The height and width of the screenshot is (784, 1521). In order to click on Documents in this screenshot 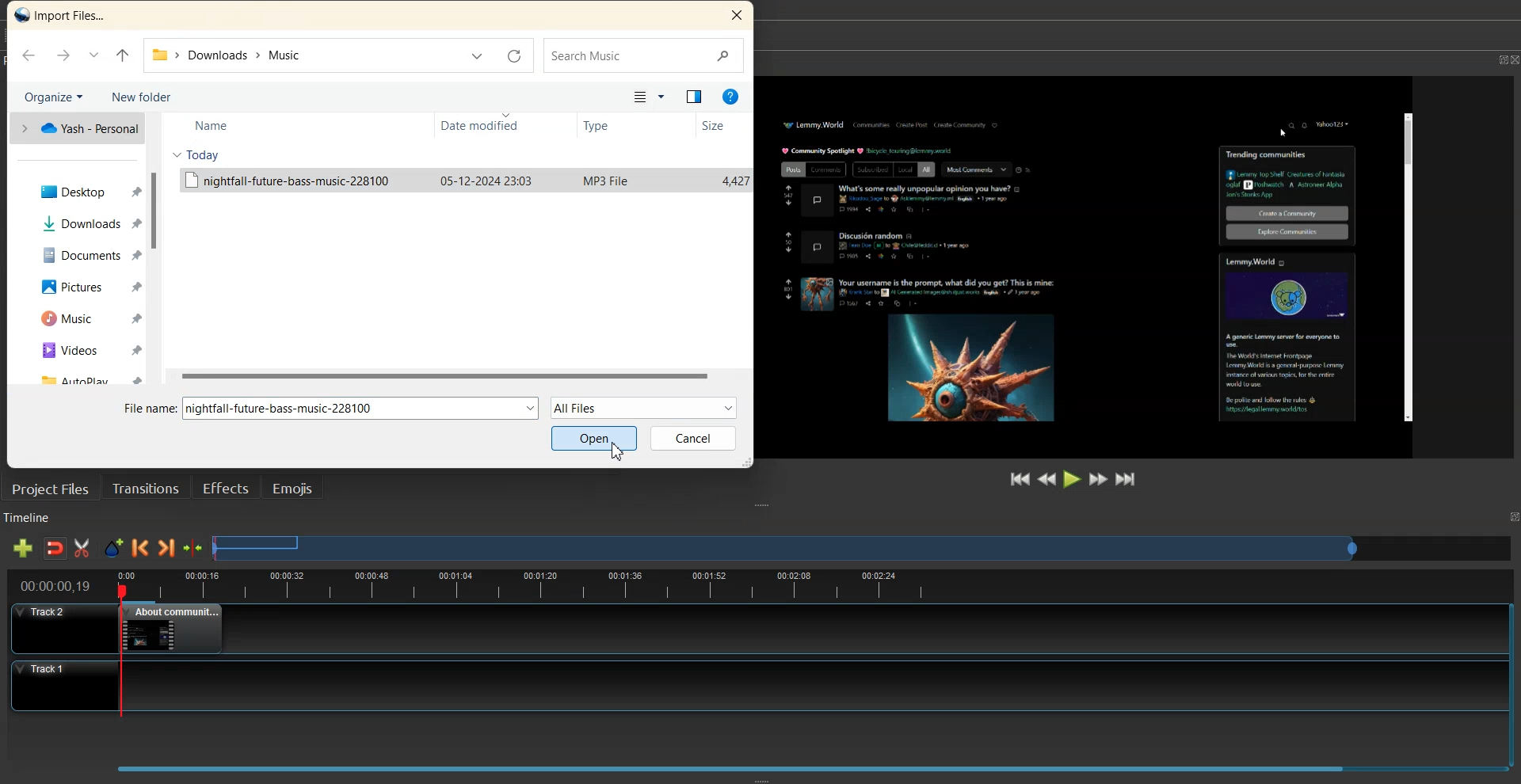, I will do `click(74, 255)`.